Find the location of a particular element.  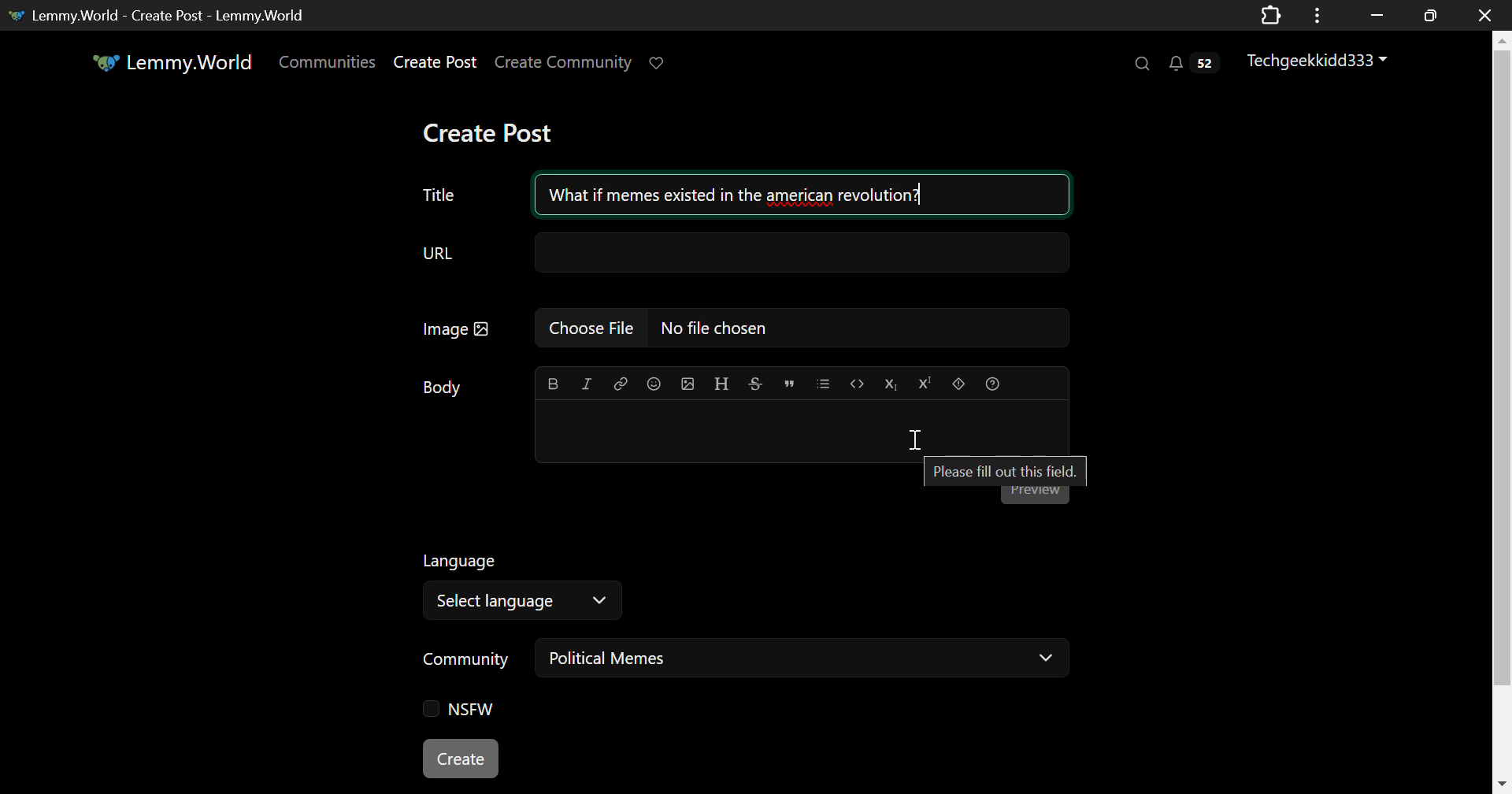

Bold is located at coordinates (551, 383).